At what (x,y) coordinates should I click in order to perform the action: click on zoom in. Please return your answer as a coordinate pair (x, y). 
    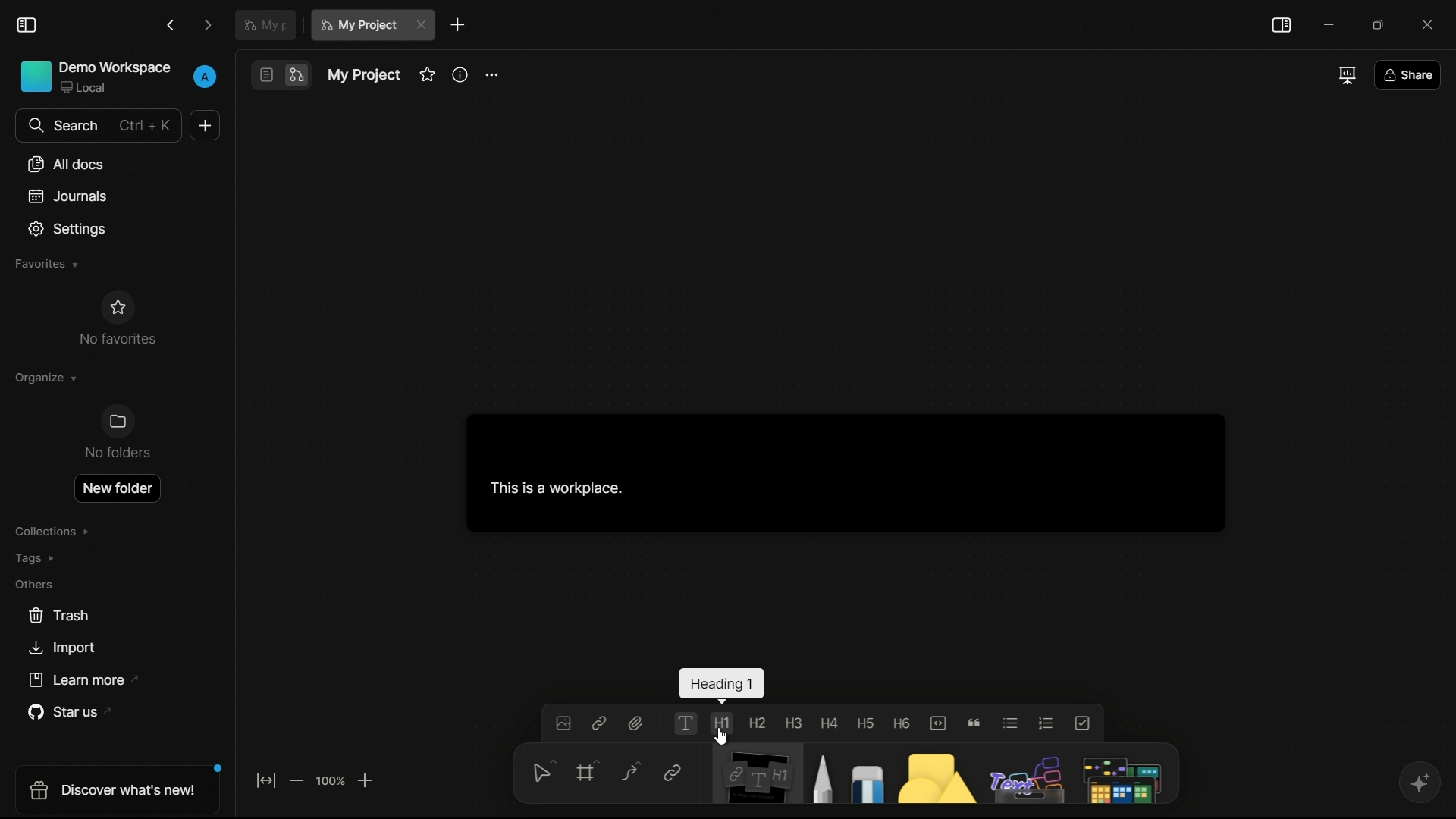
    Looking at the image, I should click on (366, 780).